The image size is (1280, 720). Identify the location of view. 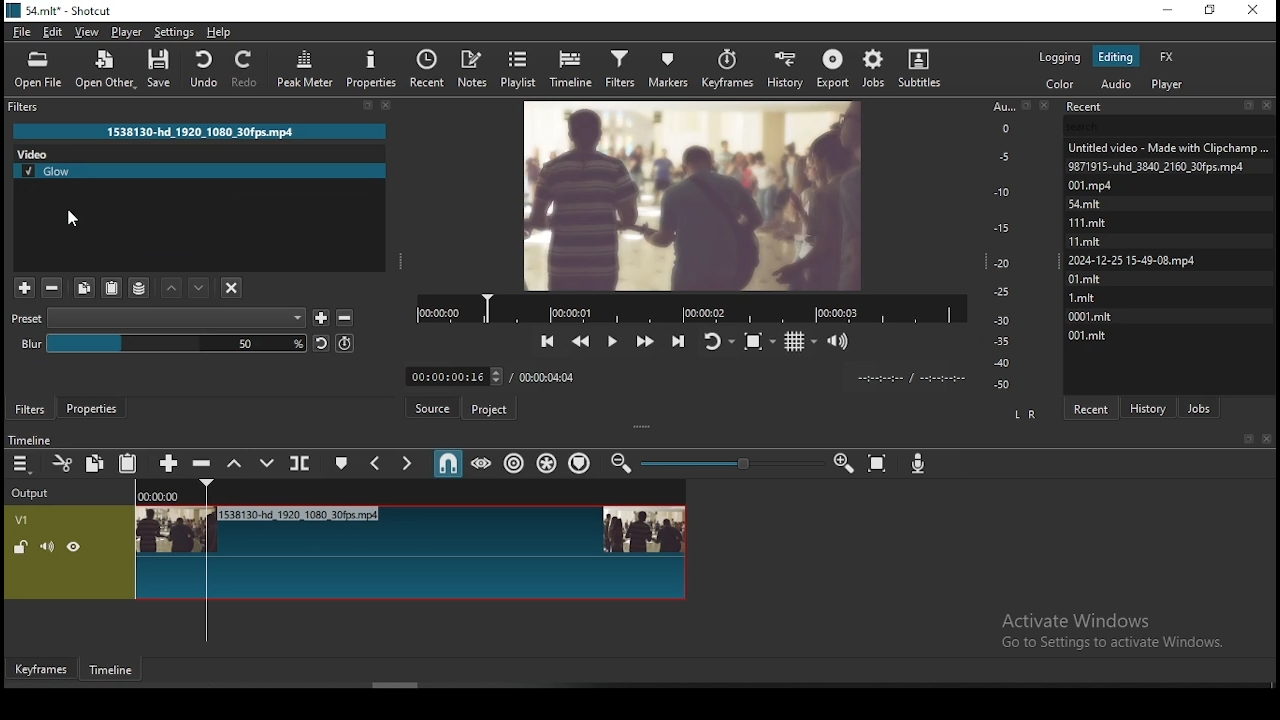
(88, 32).